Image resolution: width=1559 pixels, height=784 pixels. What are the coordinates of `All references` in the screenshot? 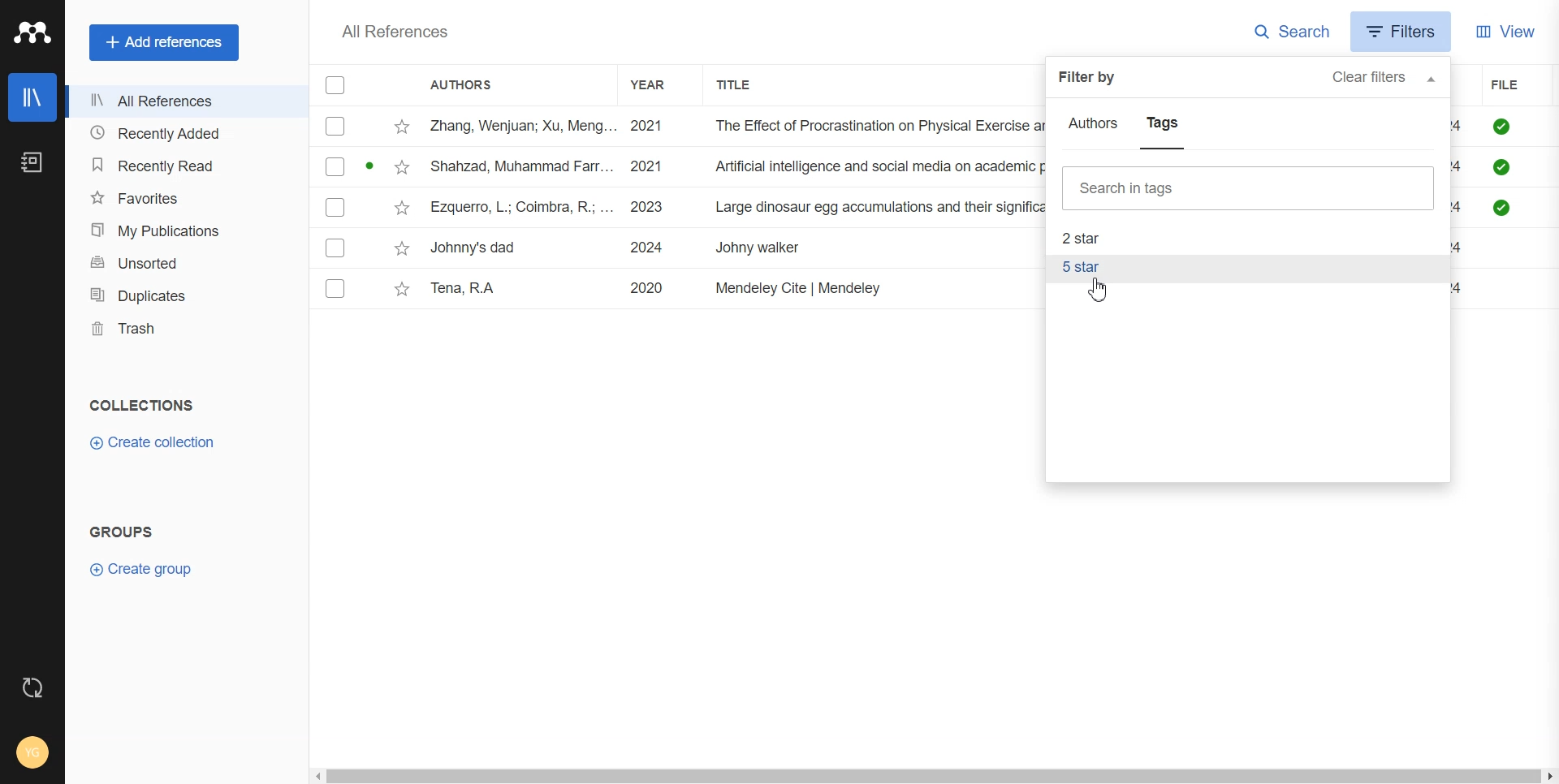 It's located at (396, 32).